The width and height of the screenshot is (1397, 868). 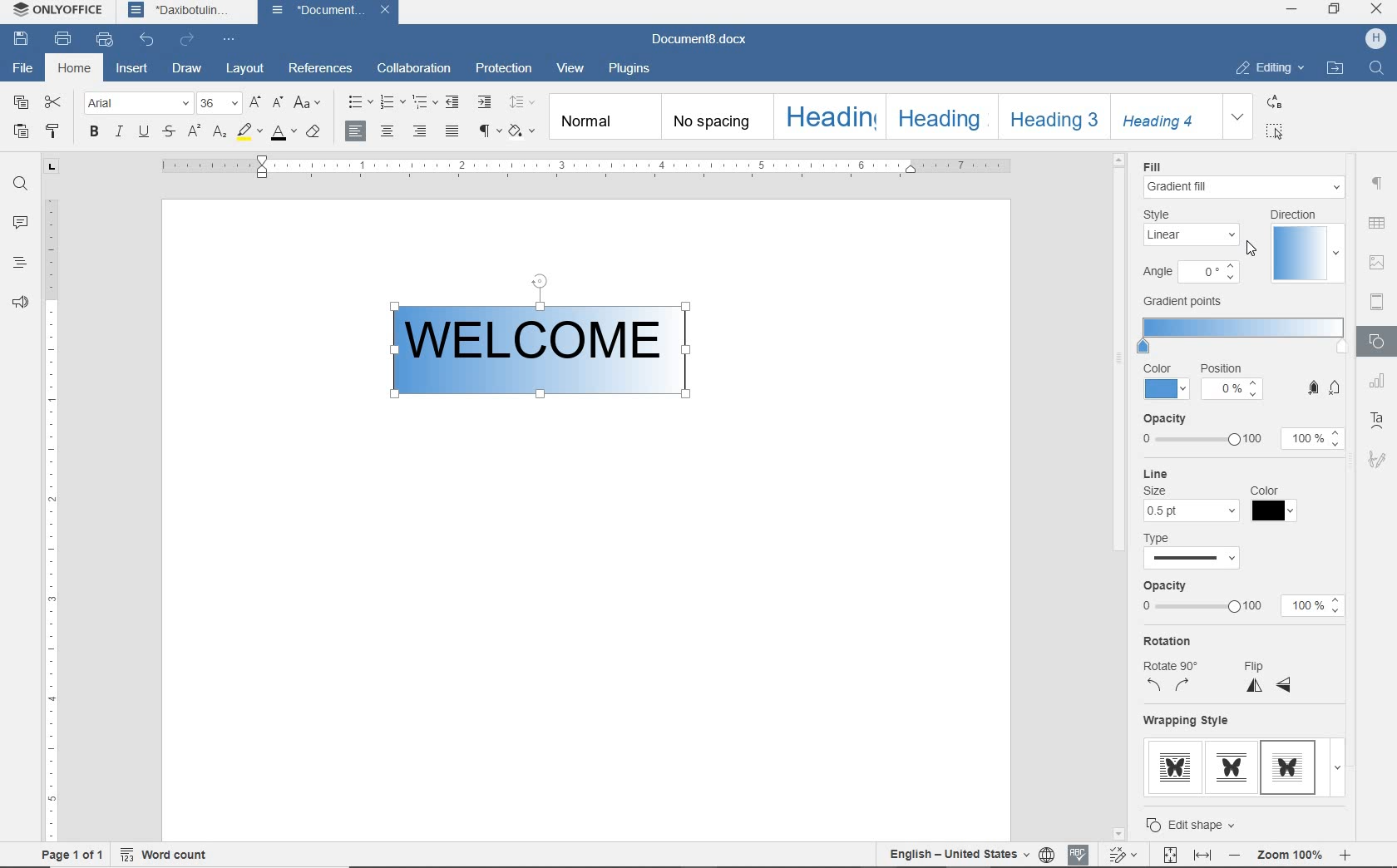 I want to click on TABLE, so click(x=1376, y=223).